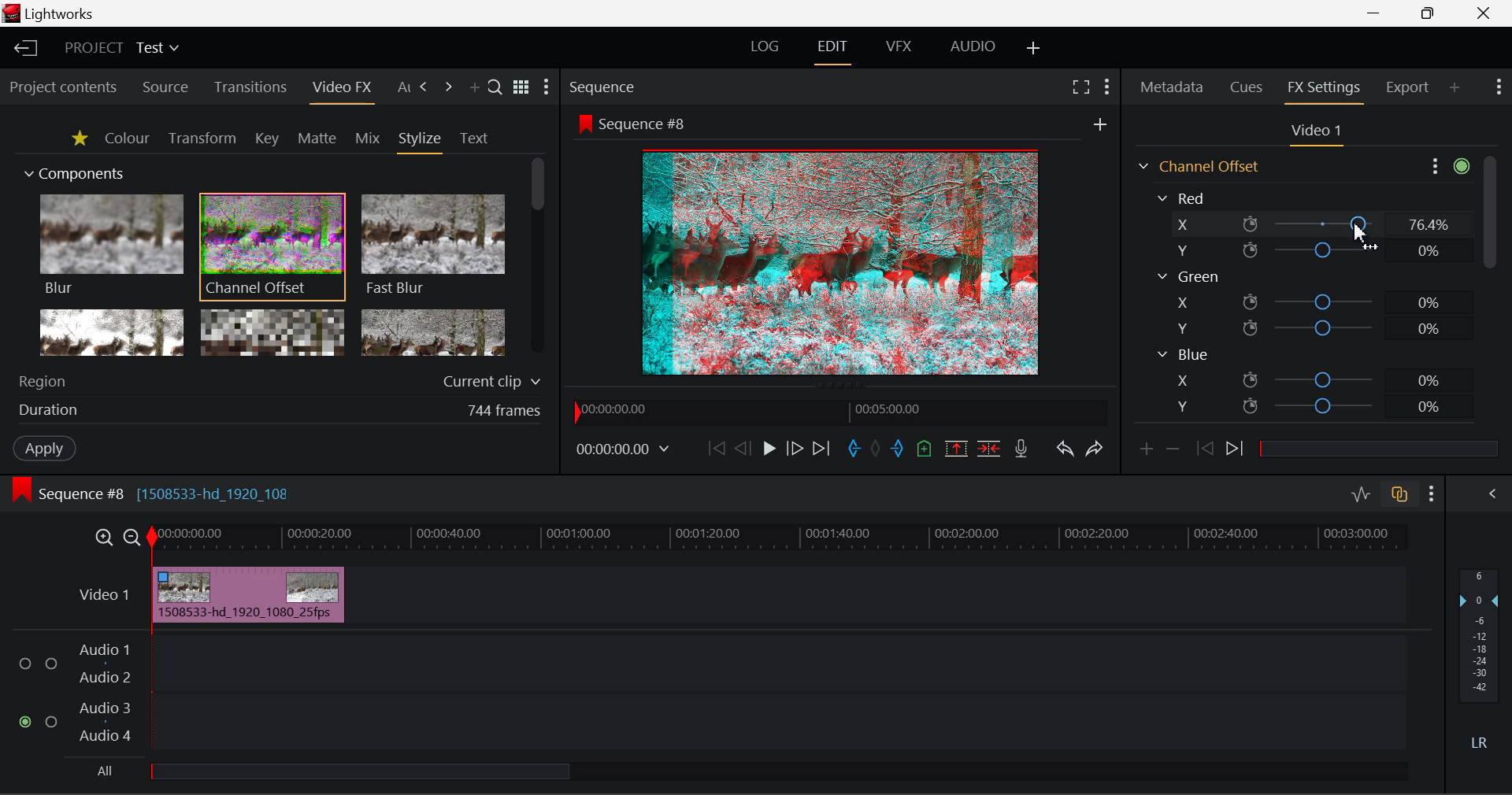 The height and width of the screenshot is (795, 1512). What do you see at coordinates (1454, 88) in the screenshot?
I see `Add Panel` at bounding box center [1454, 88].